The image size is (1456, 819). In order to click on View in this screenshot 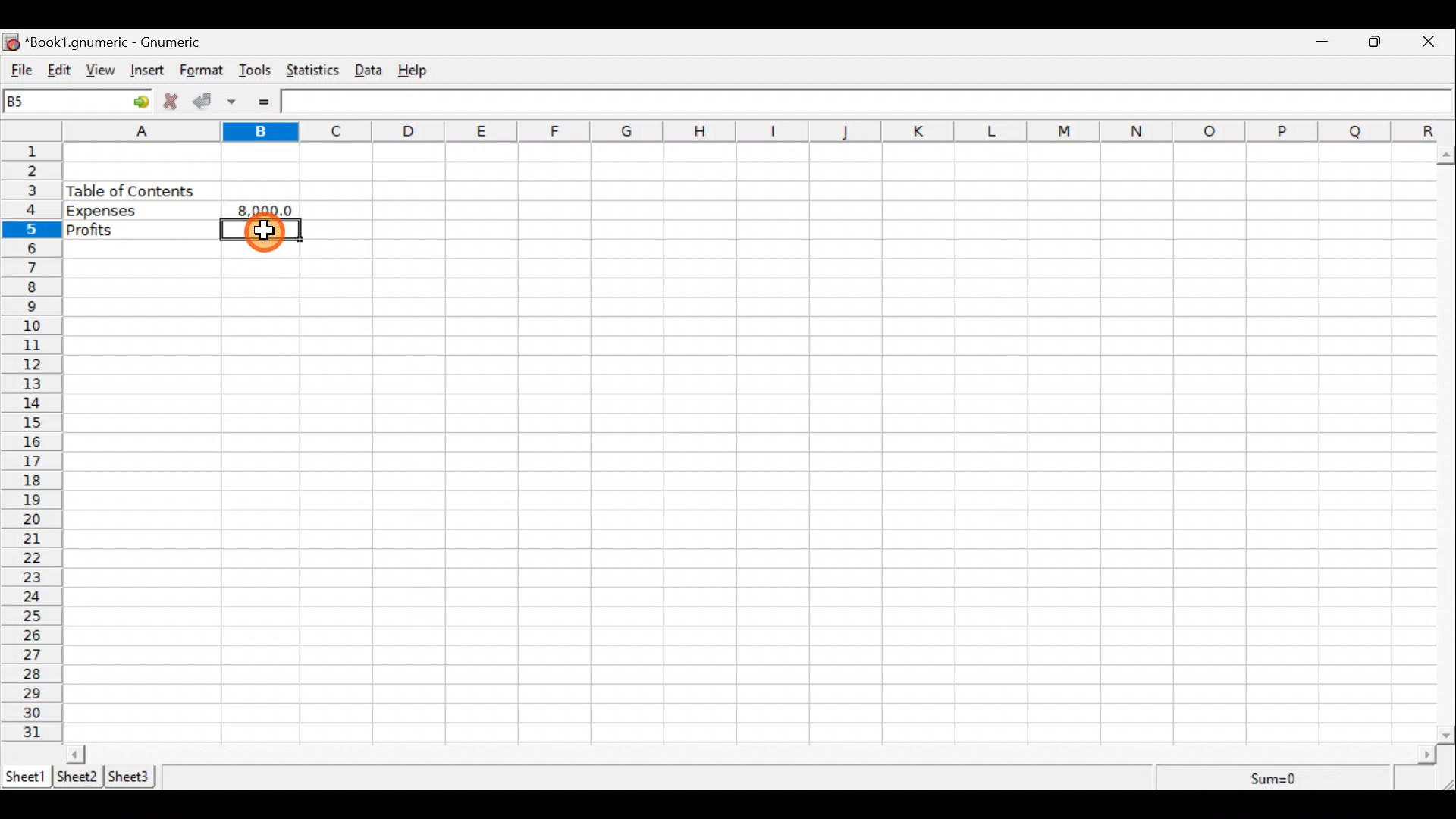, I will do `click(104, 71)`.